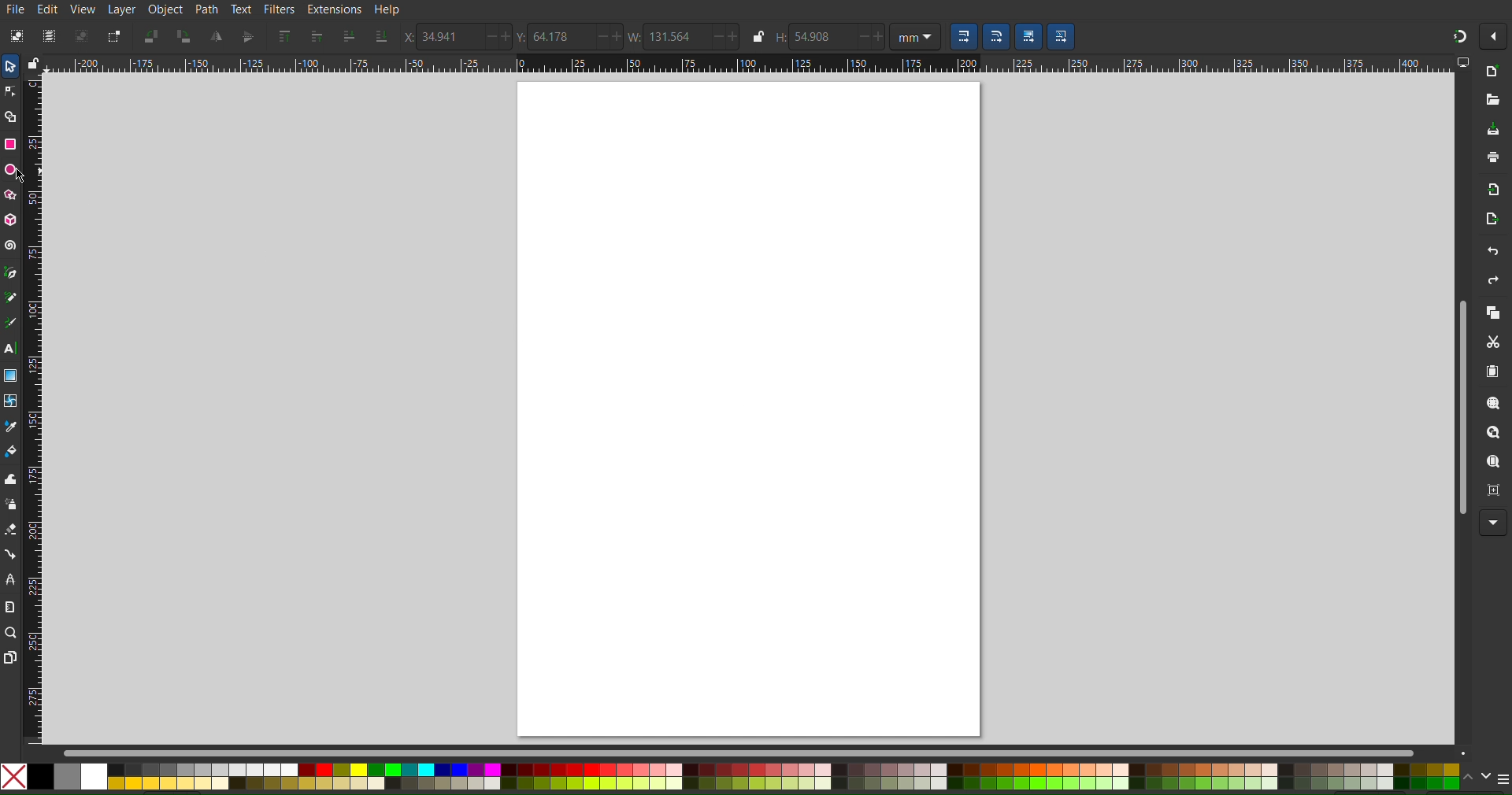  What do you see at coordinates (333, 9) in the screenshot?
I see `Extensions` at bounding box center [333, 9].